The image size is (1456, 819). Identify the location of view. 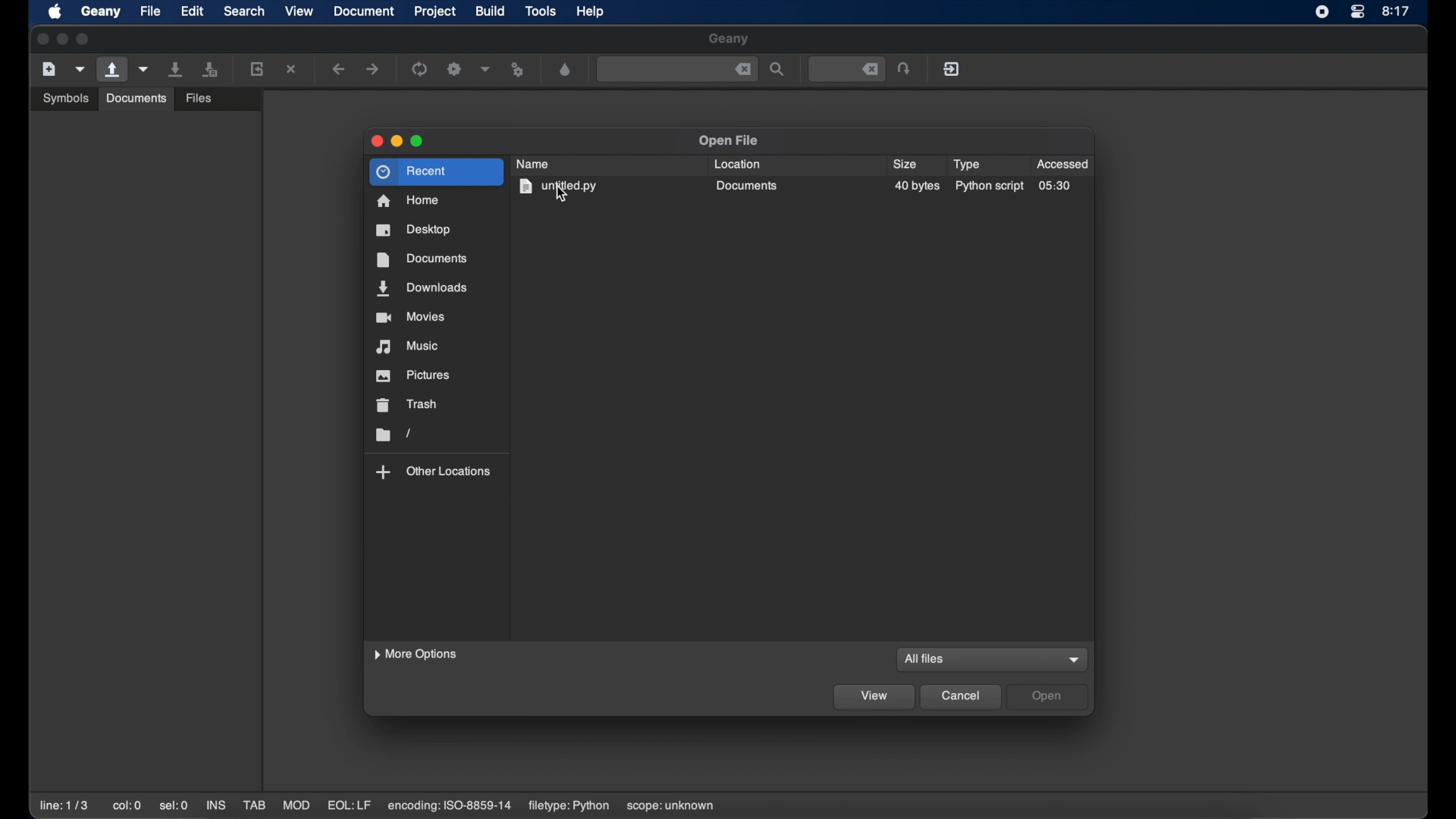
(299, 11).